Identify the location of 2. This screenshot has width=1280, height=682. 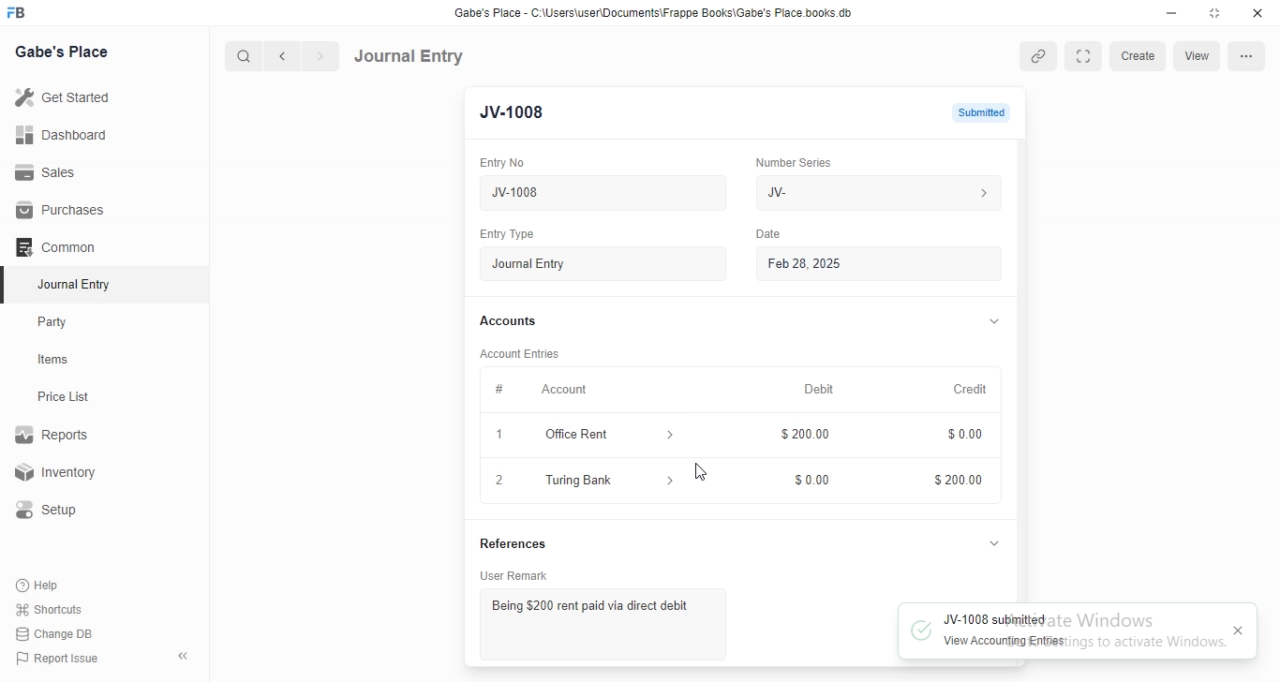
(498, 479).